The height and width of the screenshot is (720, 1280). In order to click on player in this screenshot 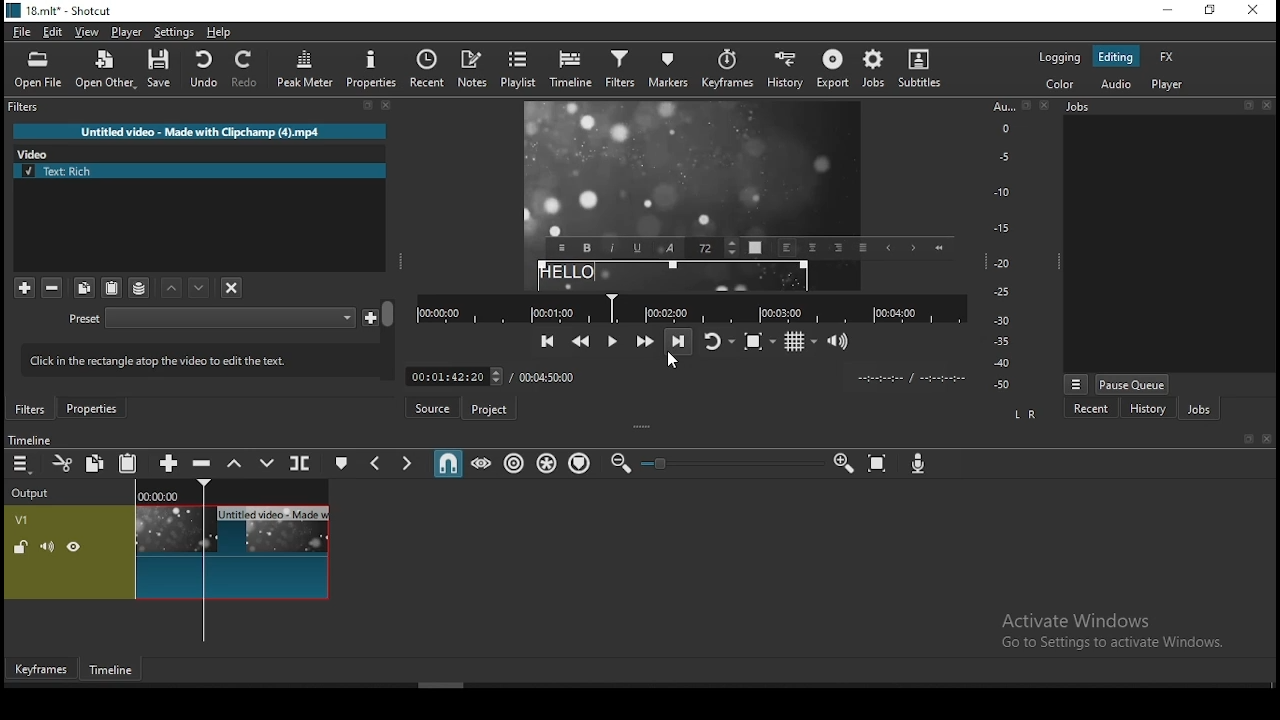, I will do `click(127, 32)`.